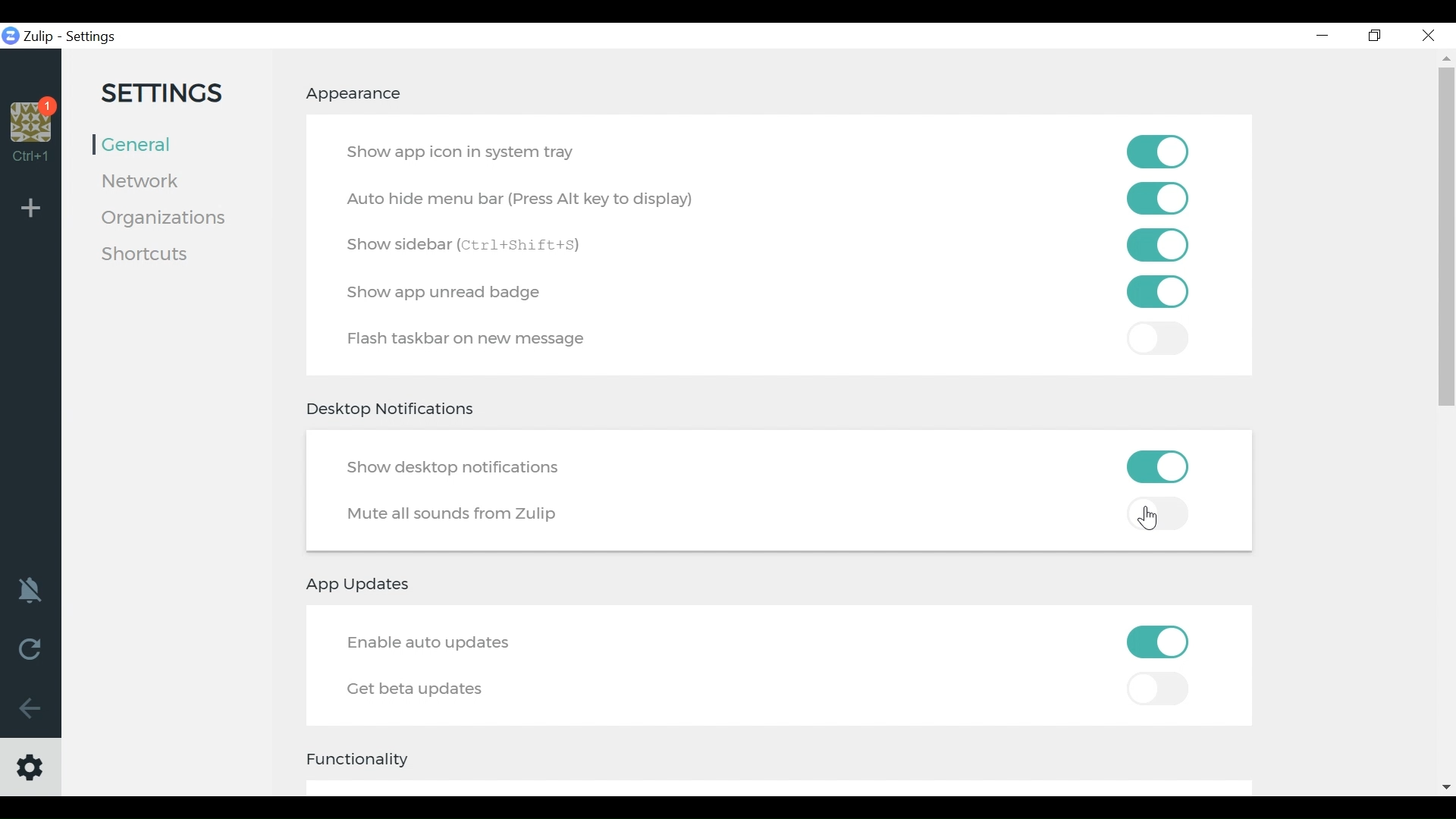 The height and width of the screenshot is (819, 1456). What do you see at coordinates (1149, 520) in the screenshot?
I see `Cursor` at bounding box center [1149, 520].